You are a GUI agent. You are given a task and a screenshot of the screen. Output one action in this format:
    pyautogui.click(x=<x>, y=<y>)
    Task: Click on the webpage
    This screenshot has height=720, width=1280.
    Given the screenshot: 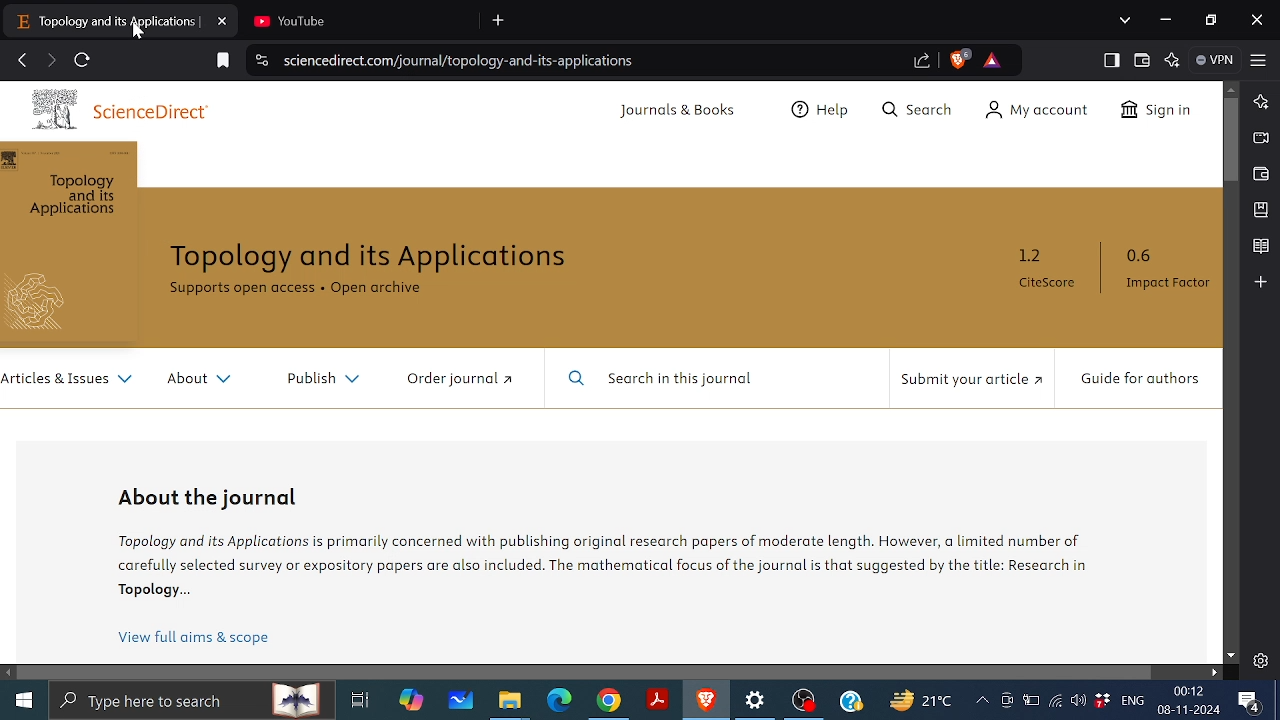 What is the action you would take?
    pyautogui.click(x=611, y=372)
    